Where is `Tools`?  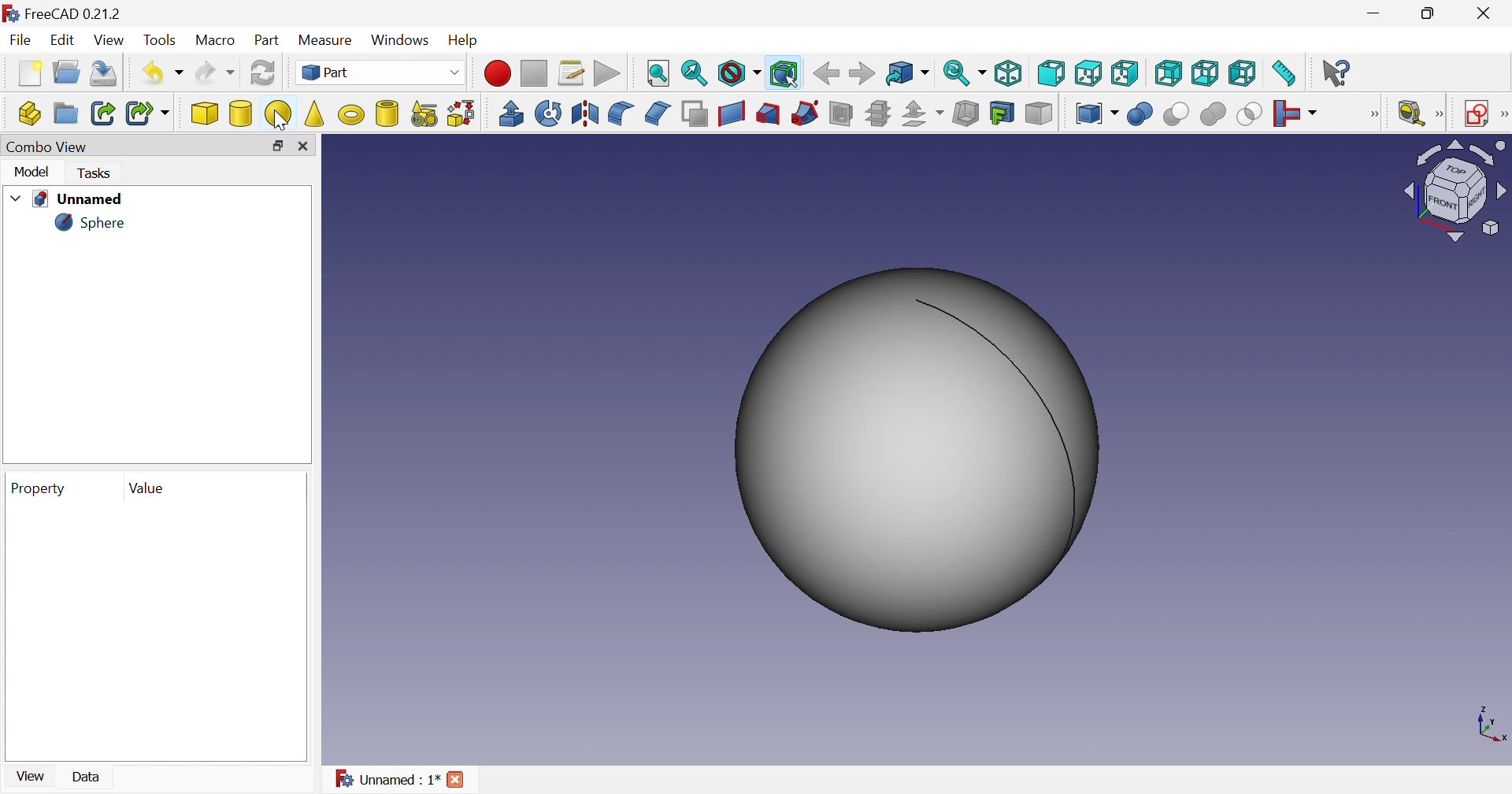 Tools is located at coordinates (159, 39).